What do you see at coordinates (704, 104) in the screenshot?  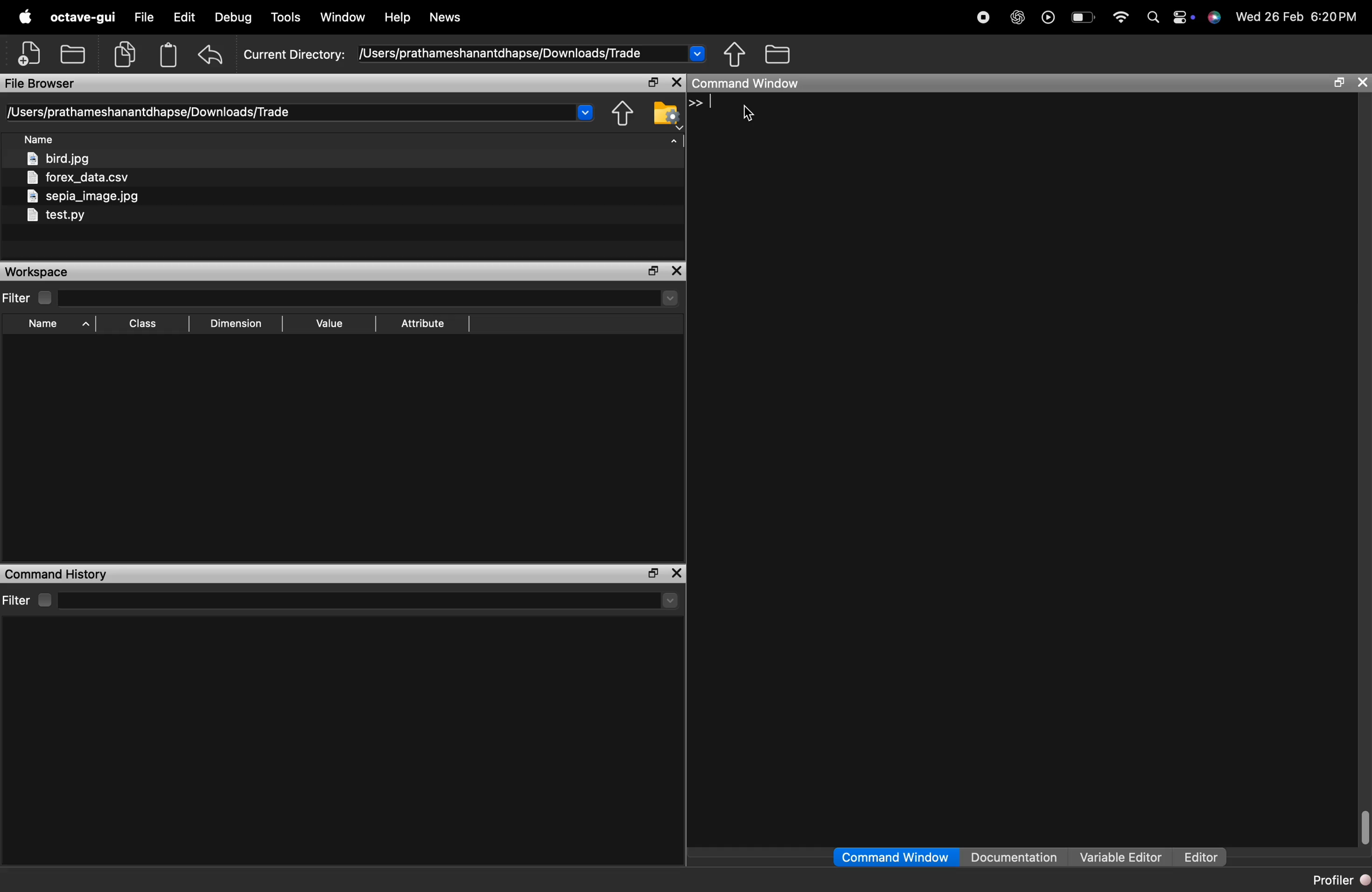 I see `typing cursor` at bounding box center [704, 104].